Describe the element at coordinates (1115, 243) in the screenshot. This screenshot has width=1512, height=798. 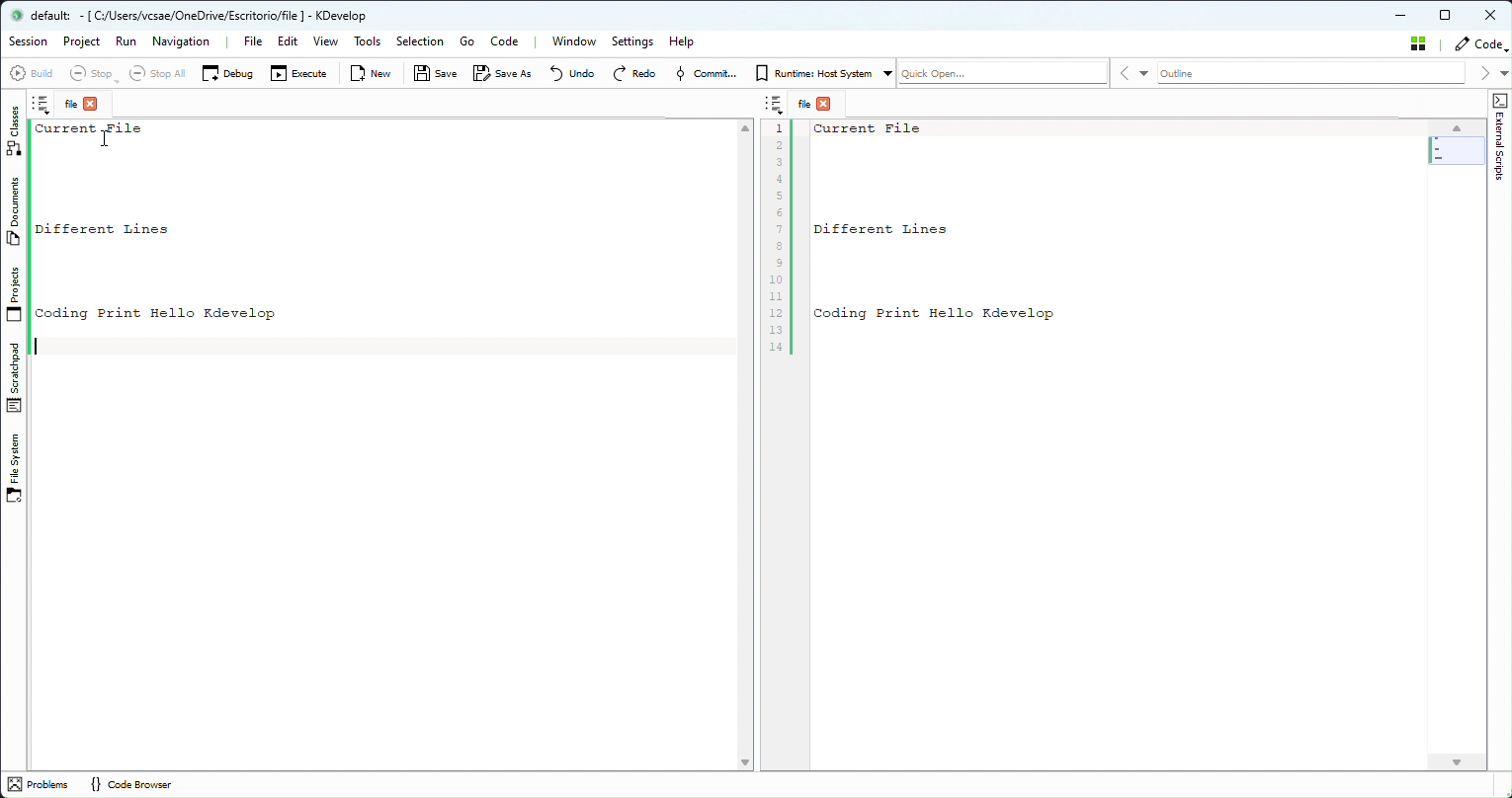
I see `After last action - current file different likes coding print hello kdevelop` at that location.